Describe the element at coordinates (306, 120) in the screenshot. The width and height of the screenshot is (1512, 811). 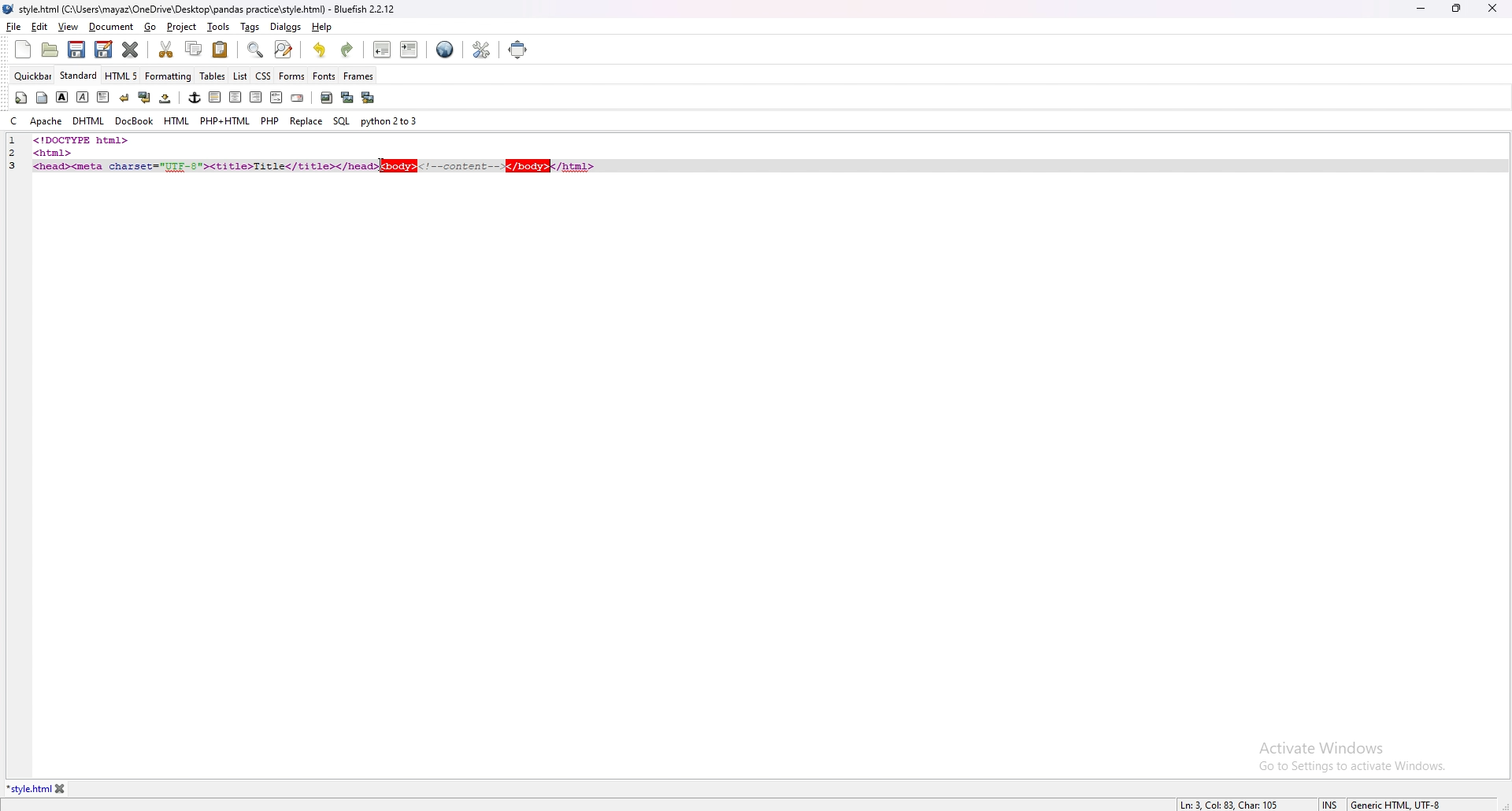
I see `replace` at that location.